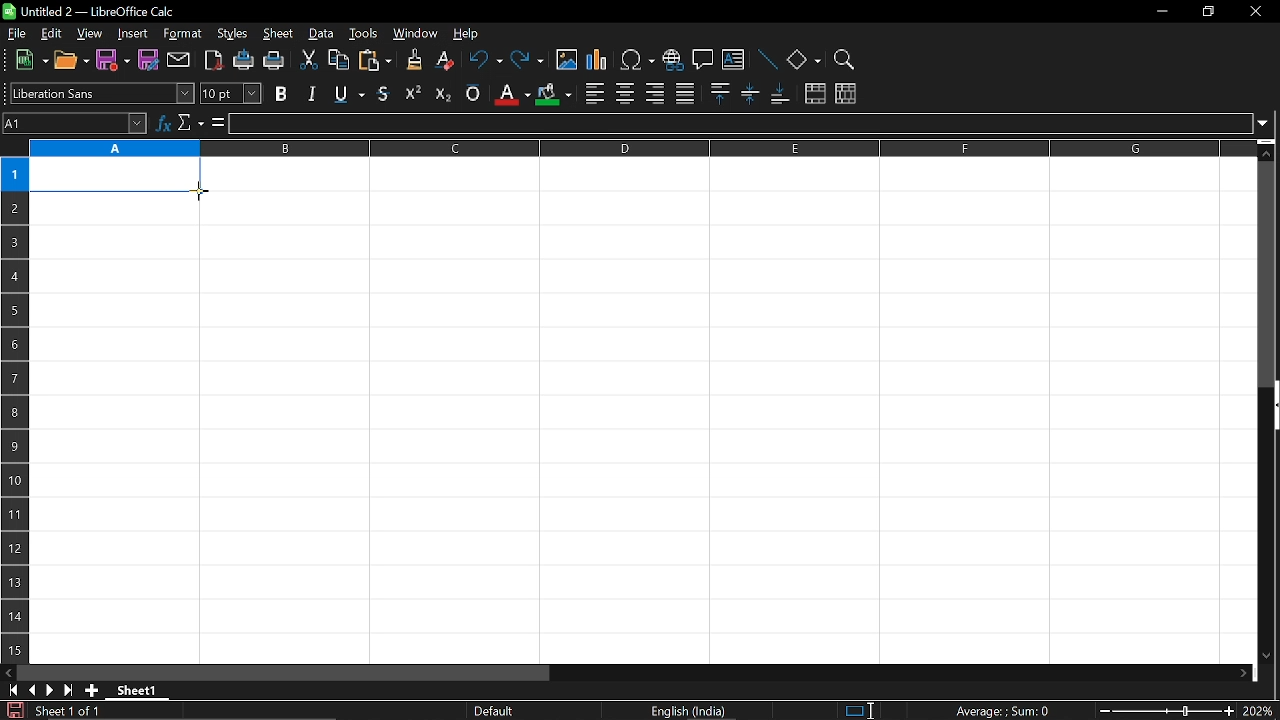 This screenshot has height=720, width=1280. I want to click on merge cells, so click(815, 94).